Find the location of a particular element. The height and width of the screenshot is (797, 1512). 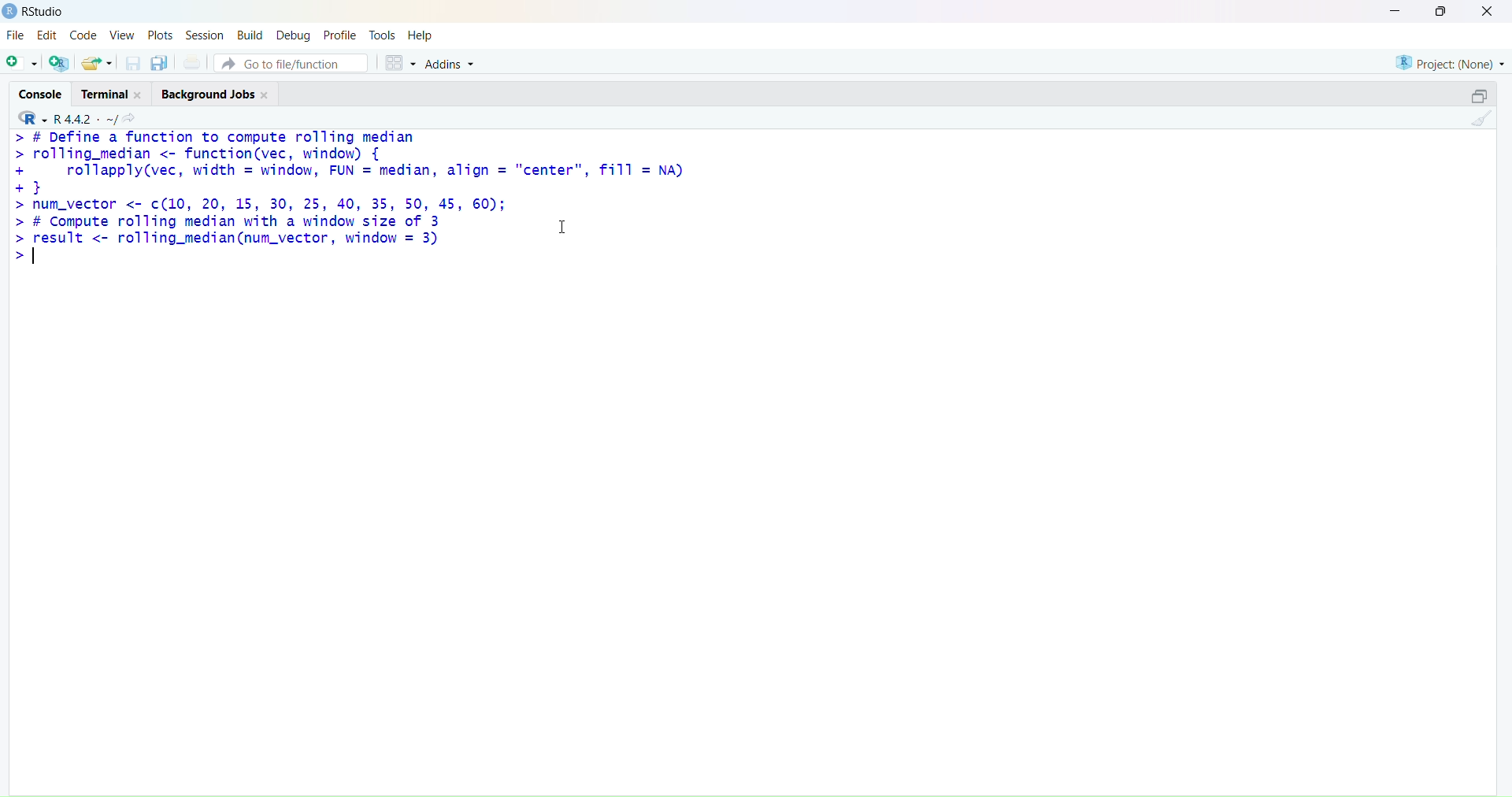

profile is located at coordinates (339, 35).